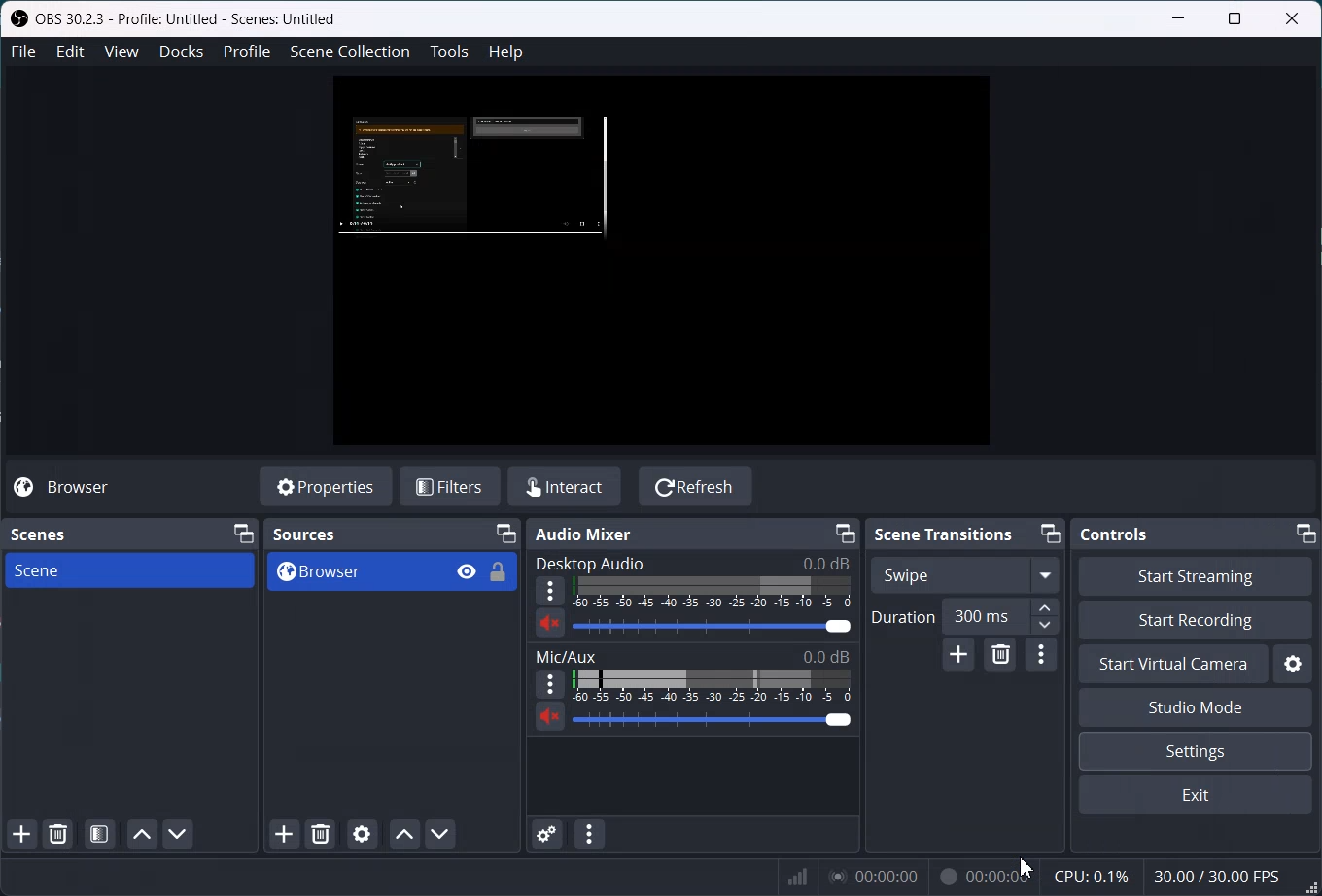 The height and width of the screenshot is (896, 1322). Describe the element at coordinates (1217, 875) in the screenshot. I see `30.007 30.00 FPS` at that location.